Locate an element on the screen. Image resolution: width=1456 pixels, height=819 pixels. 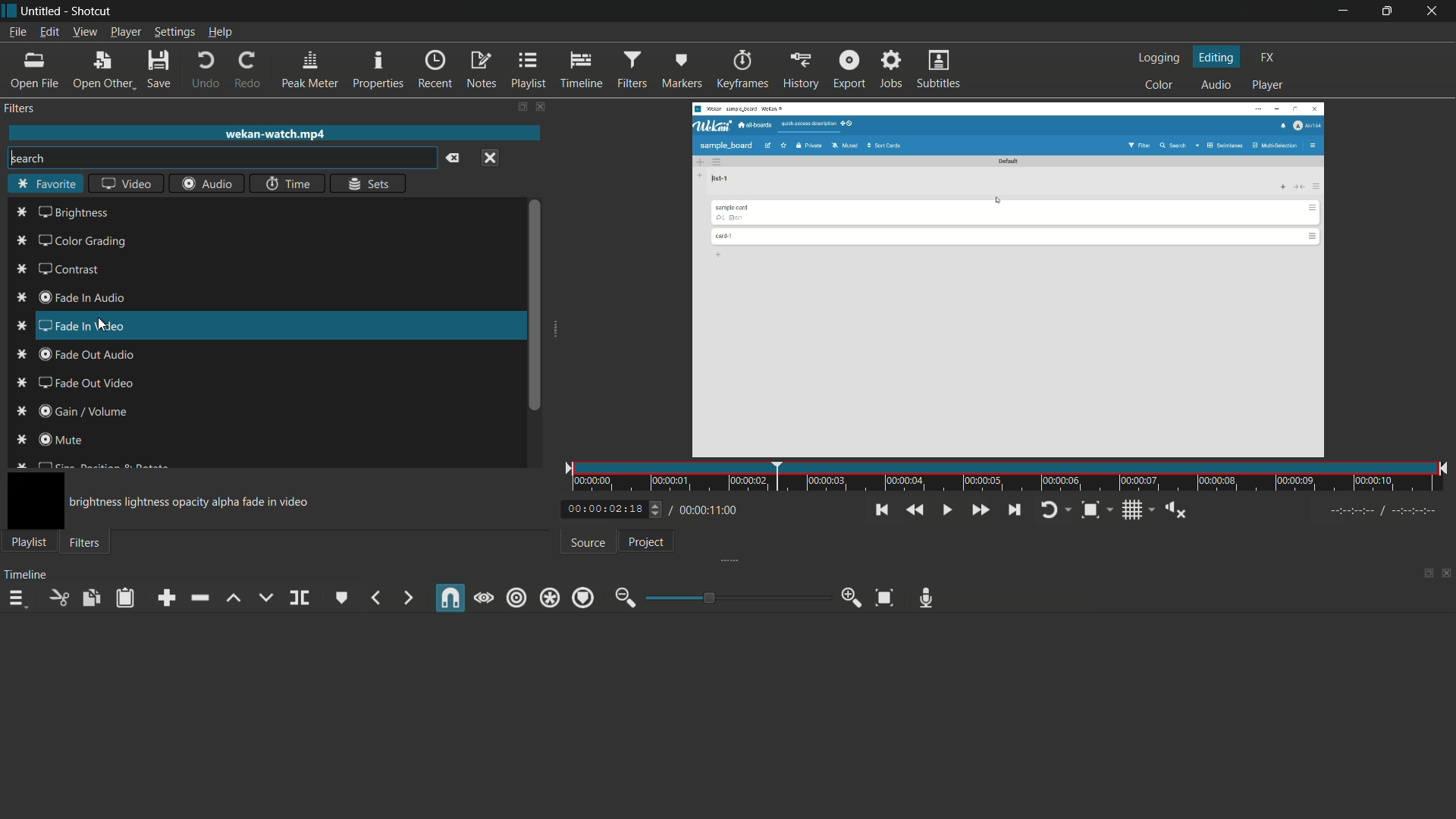
toggle grid is located at coordinates (1134, 511).